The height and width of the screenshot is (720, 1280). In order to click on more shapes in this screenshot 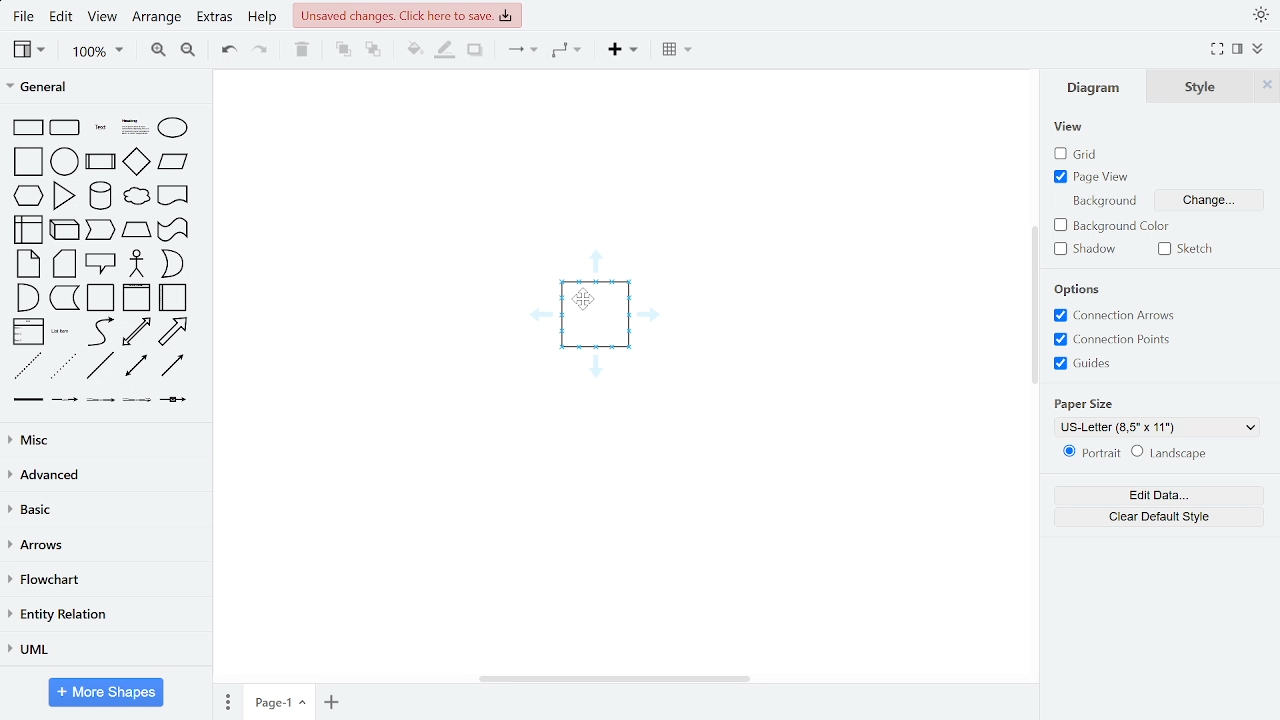, I will do `click(106, 692)`.